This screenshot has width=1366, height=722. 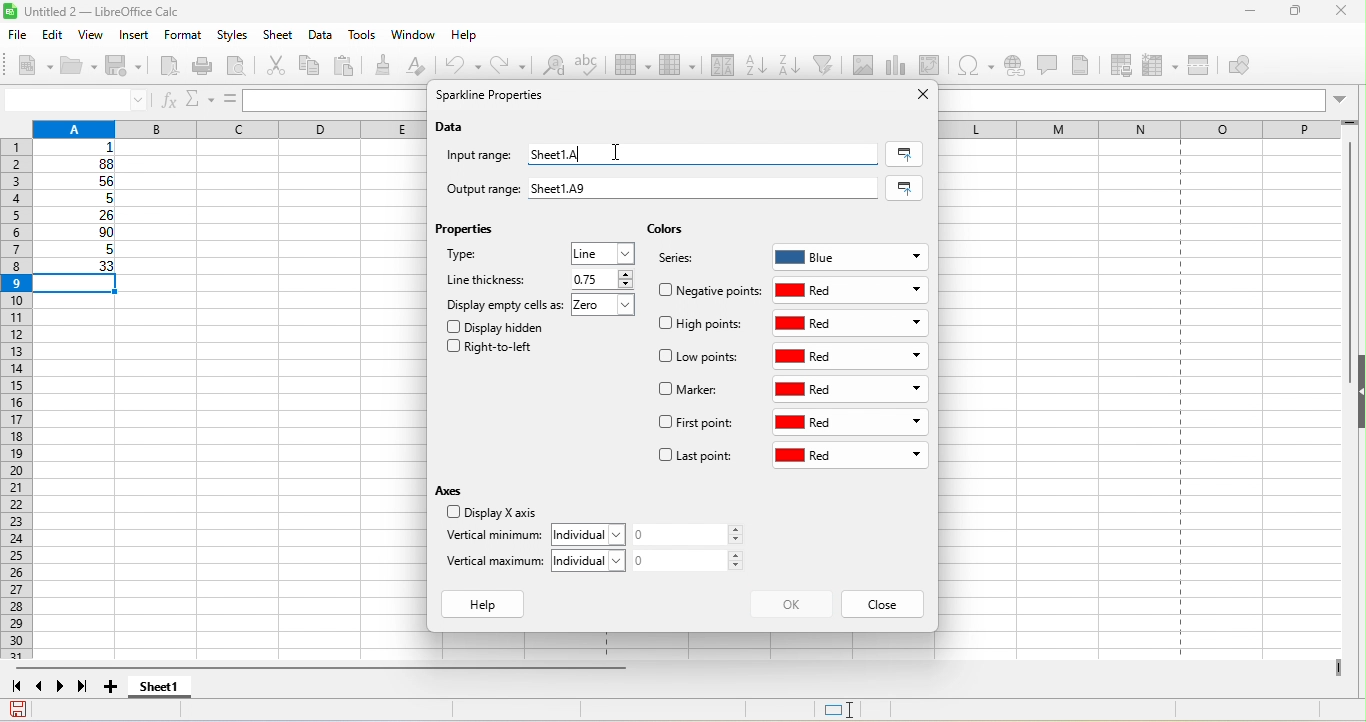 What do you see at coordinates (465, 39) in the screenshot?
I see `help` at bounding box center [465, 39].